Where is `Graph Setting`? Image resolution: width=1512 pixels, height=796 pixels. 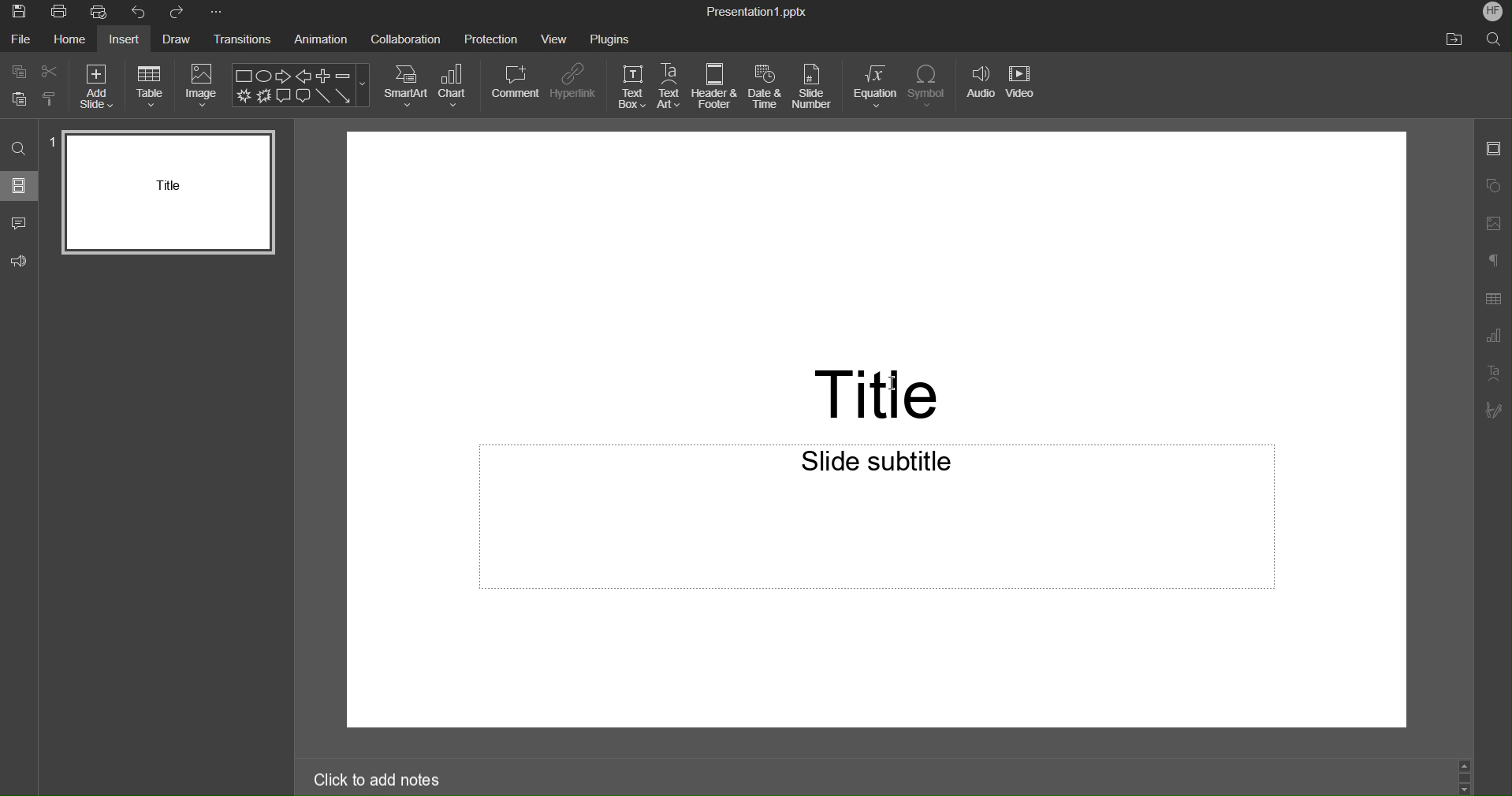 Graph Setting is located at coordinates (1493, 337).